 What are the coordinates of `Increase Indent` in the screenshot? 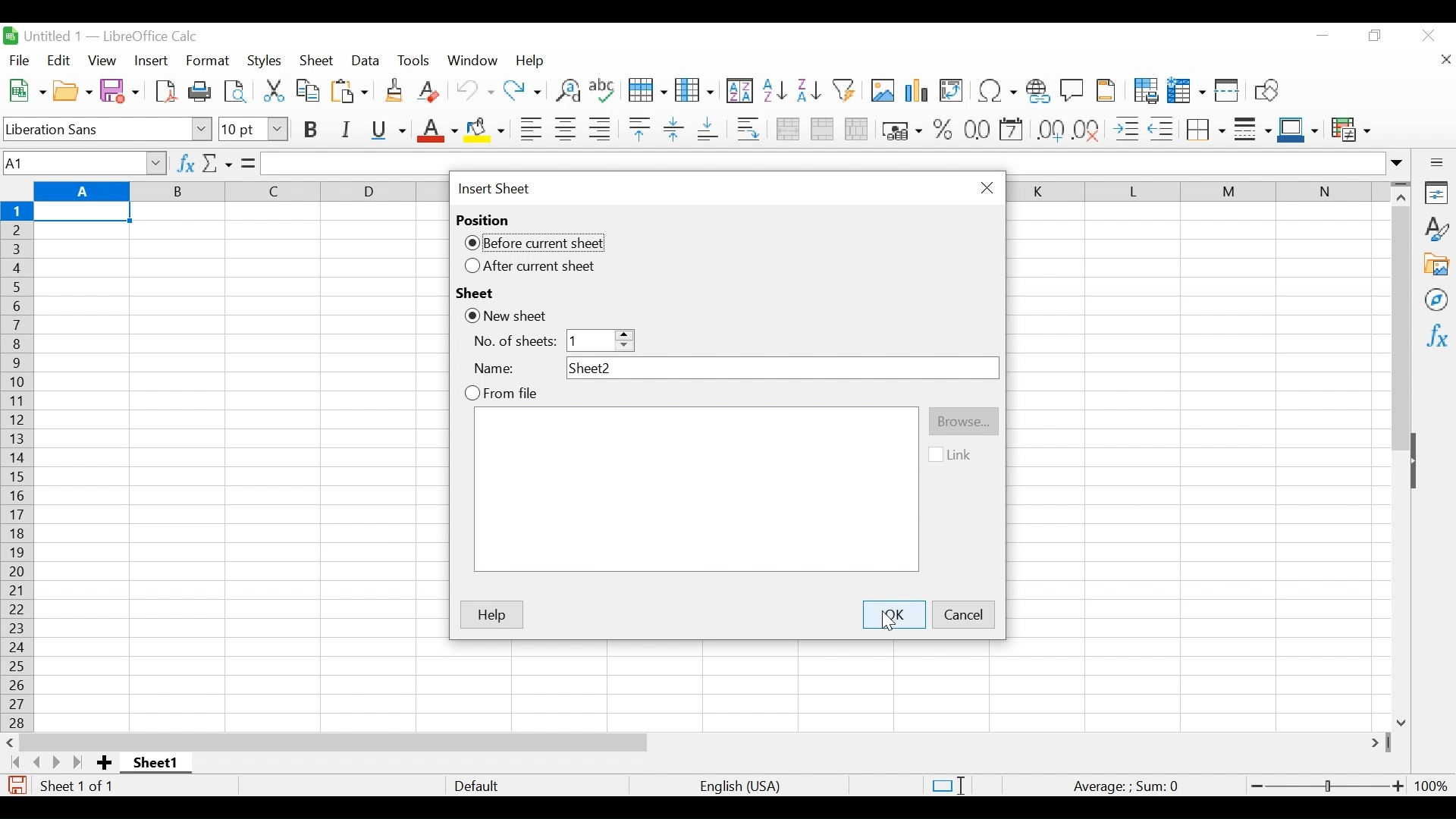 It's located at (1126, 129).